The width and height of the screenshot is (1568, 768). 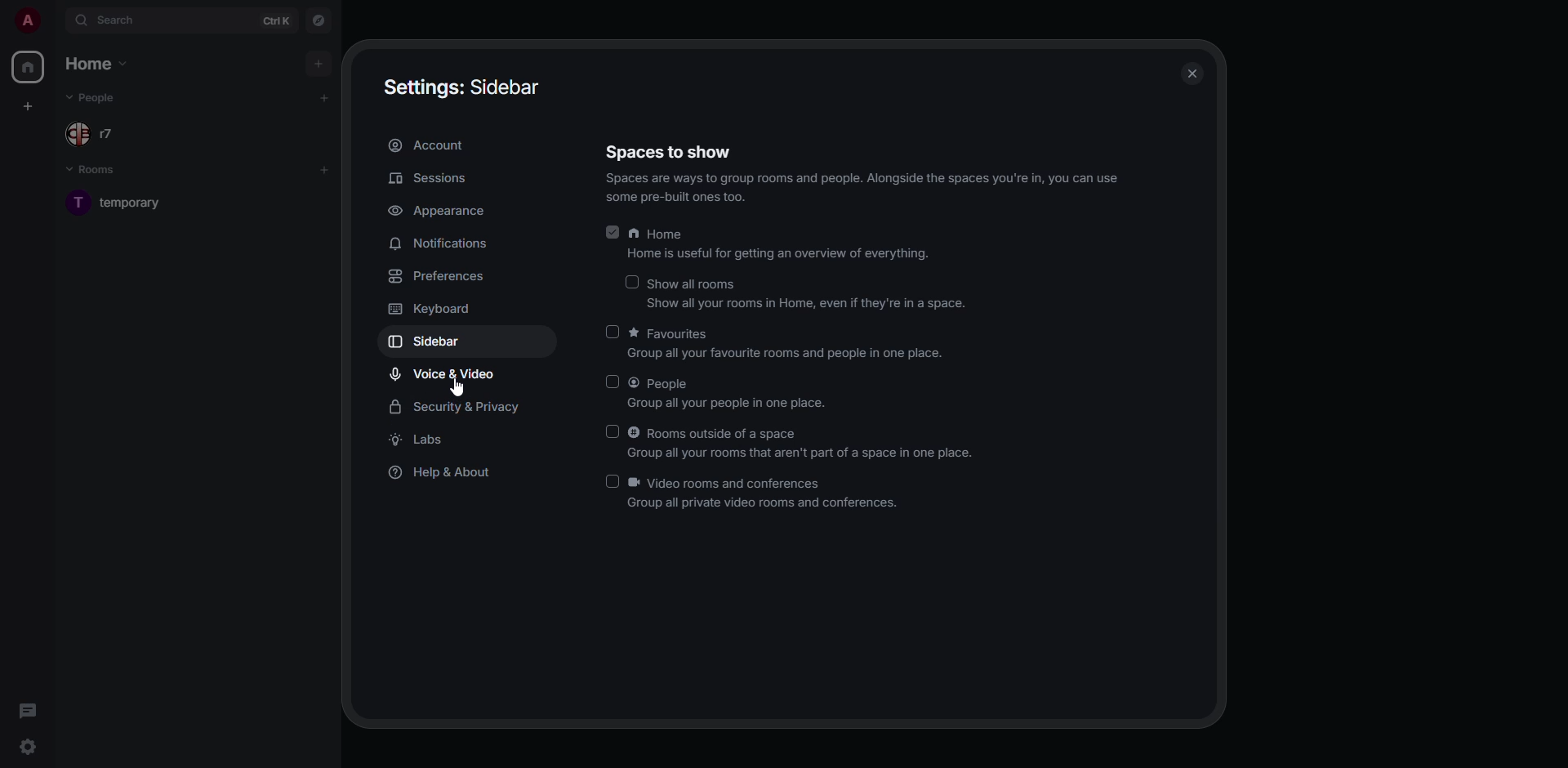 I want to click on close, so click(x=1194, y=66).